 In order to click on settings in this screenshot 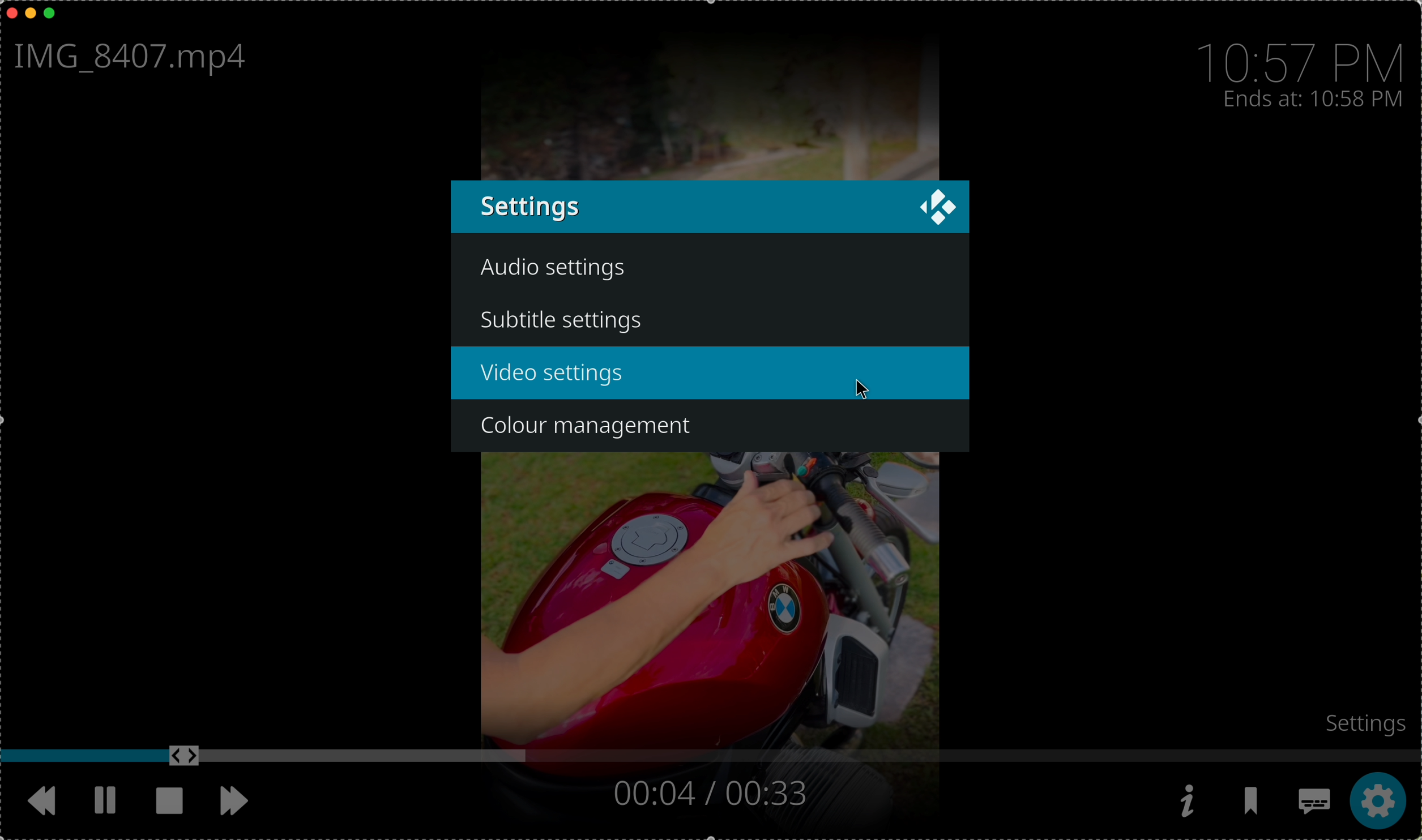, I will do `click(1367, 722)`.